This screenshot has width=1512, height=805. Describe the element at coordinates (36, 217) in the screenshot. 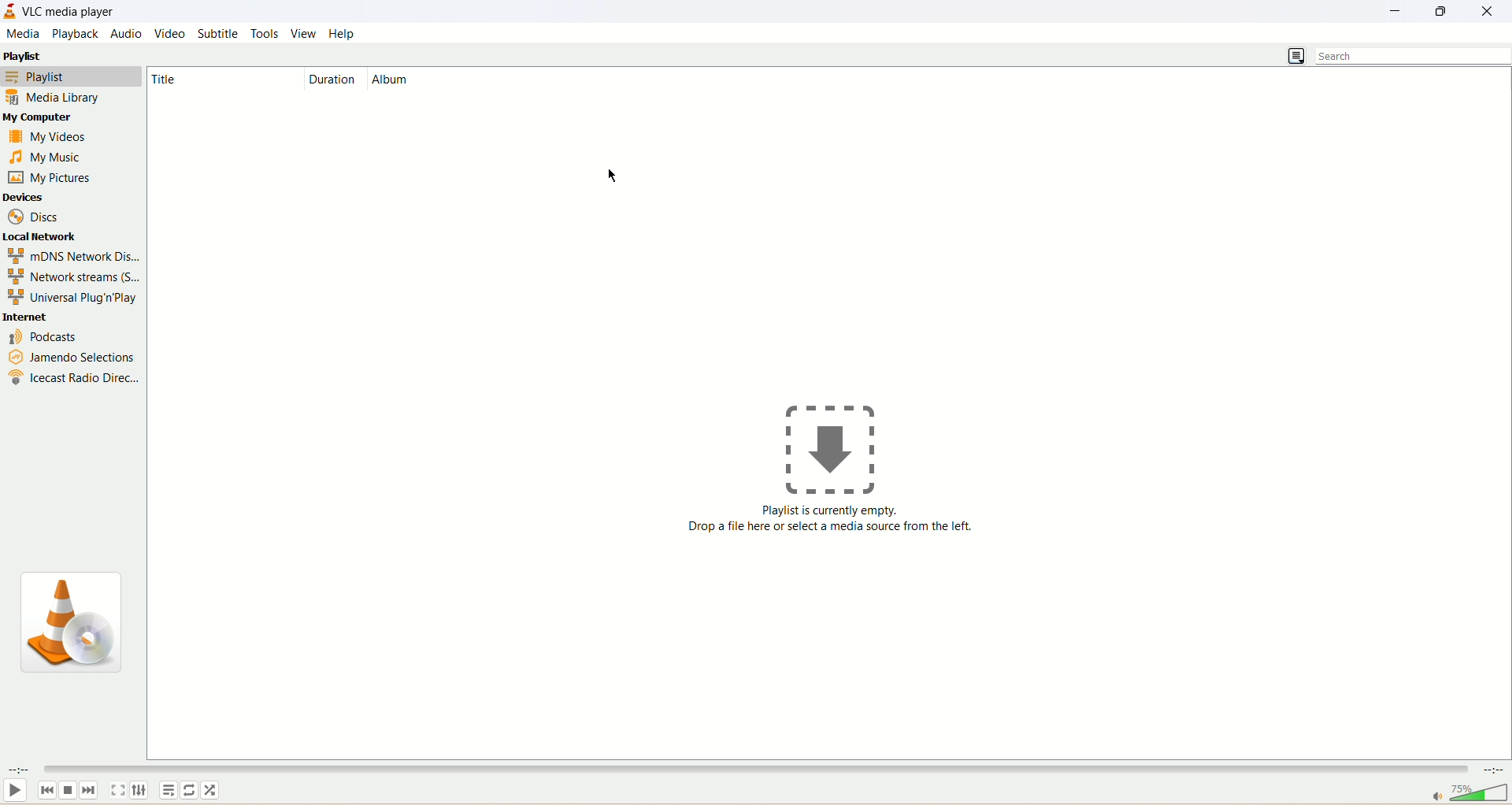

I see `discs` at that location.